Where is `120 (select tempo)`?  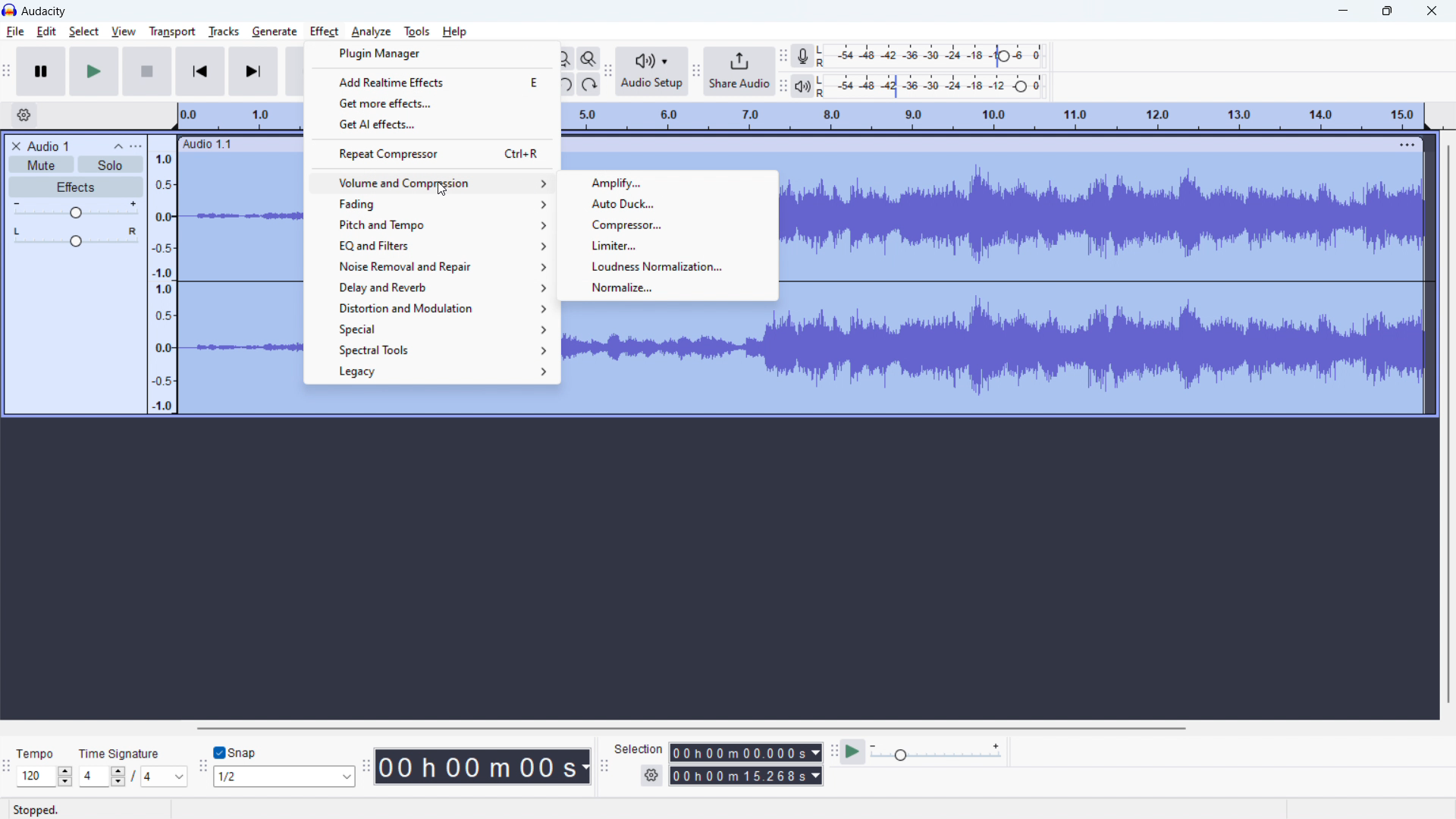 120 (select tempo) is located at coordinates (45, 777).